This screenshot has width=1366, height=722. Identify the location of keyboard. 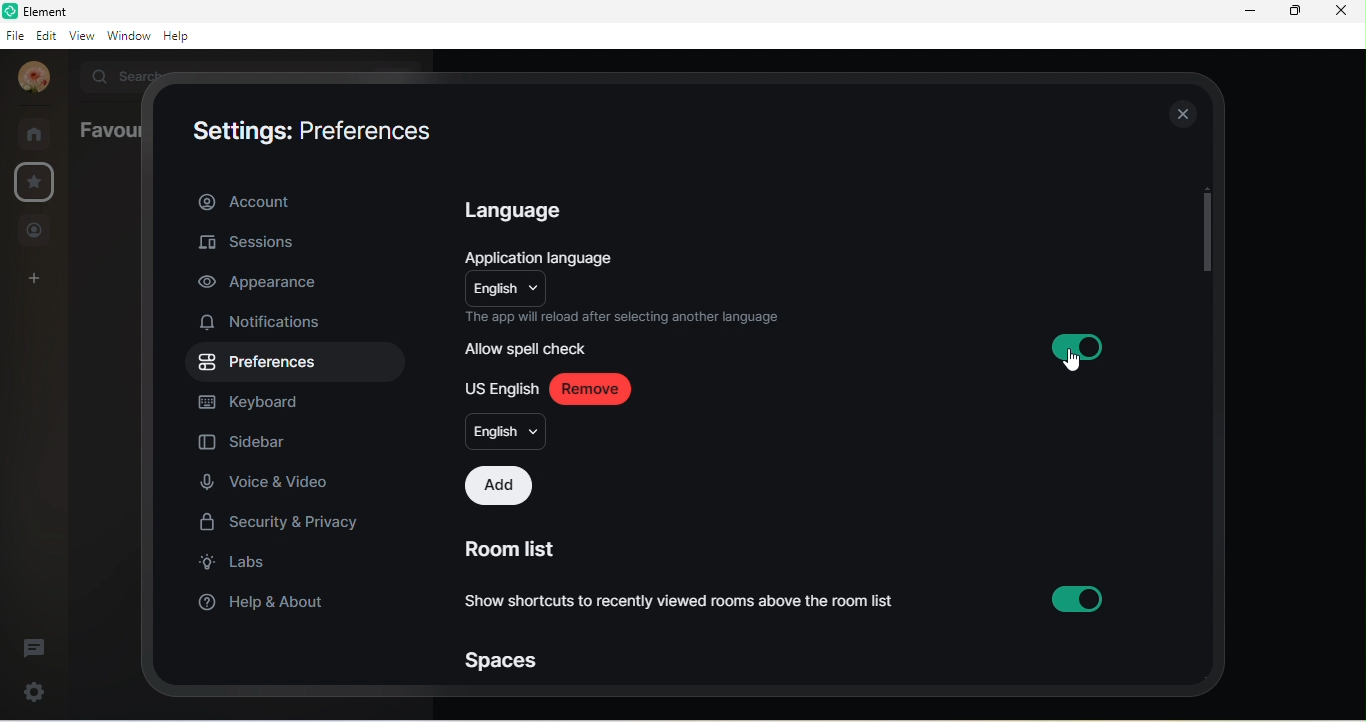
(253, 402).